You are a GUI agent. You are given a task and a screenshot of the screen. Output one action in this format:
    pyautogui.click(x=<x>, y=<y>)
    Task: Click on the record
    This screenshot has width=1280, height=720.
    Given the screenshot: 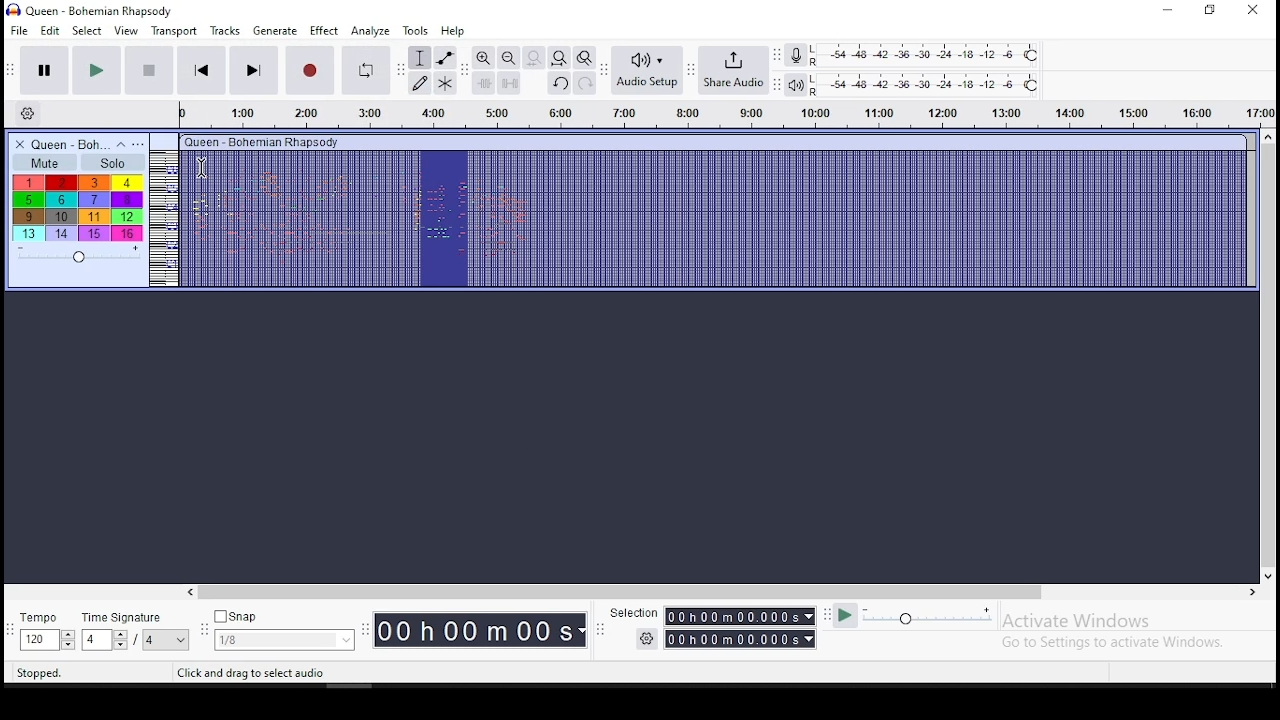 What is the action you would take?
    pyautogui.click(x=310, y=71)
    